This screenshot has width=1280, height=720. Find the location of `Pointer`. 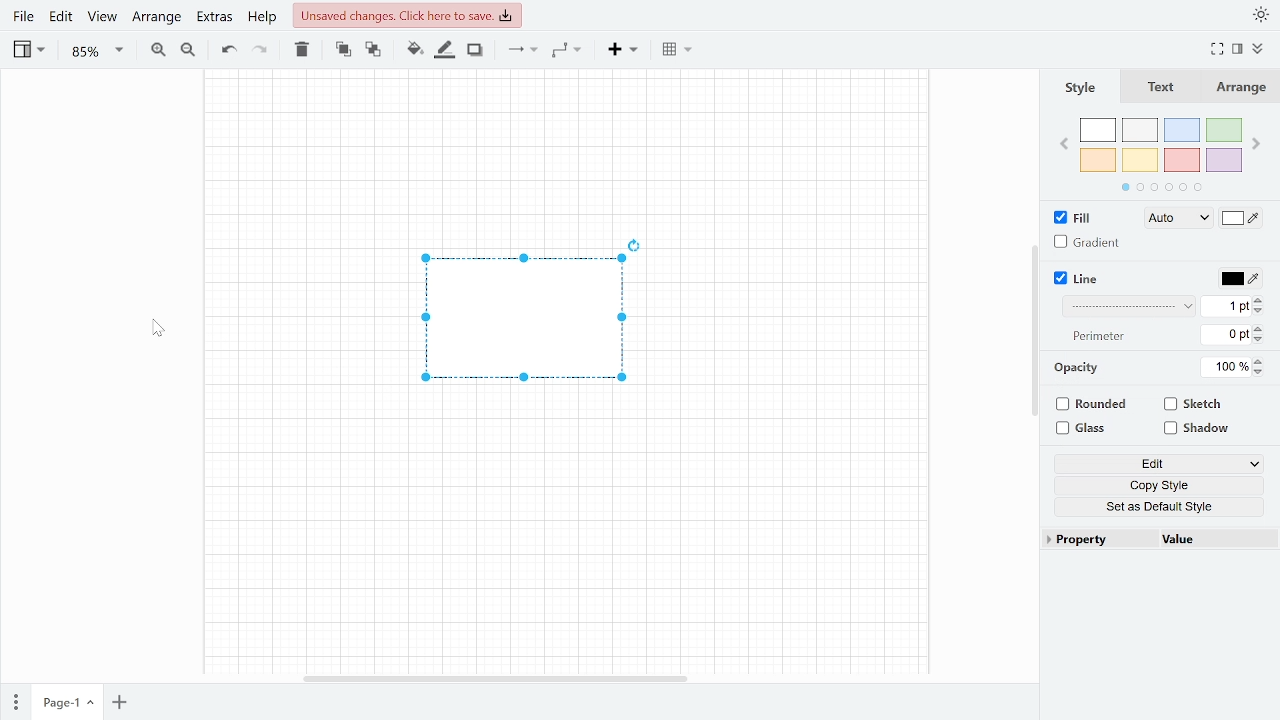

Pointer is located at coordinates (157, 329).